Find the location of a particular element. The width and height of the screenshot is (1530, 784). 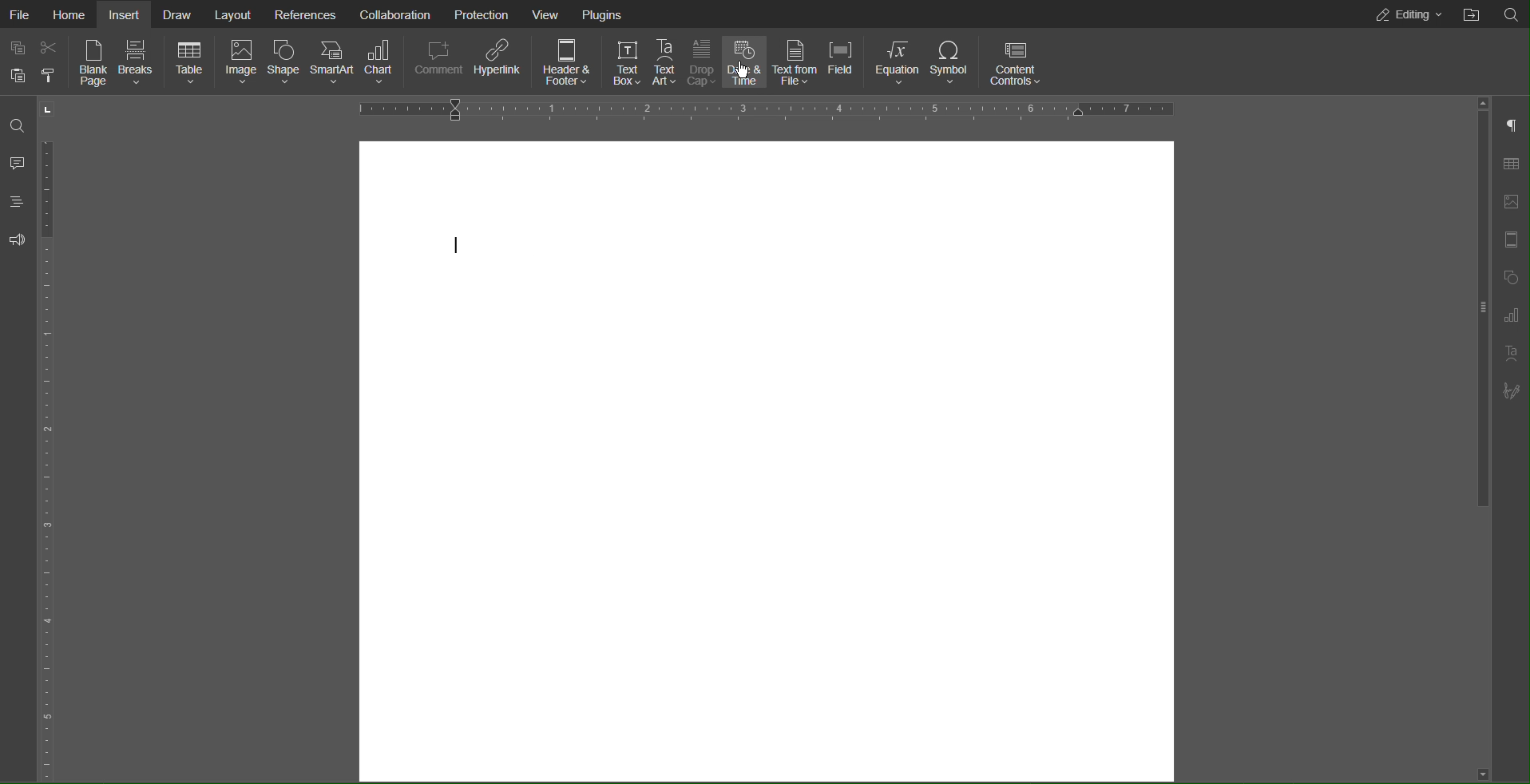

Cursor at Date & Time is located at coordinates (740, 70).